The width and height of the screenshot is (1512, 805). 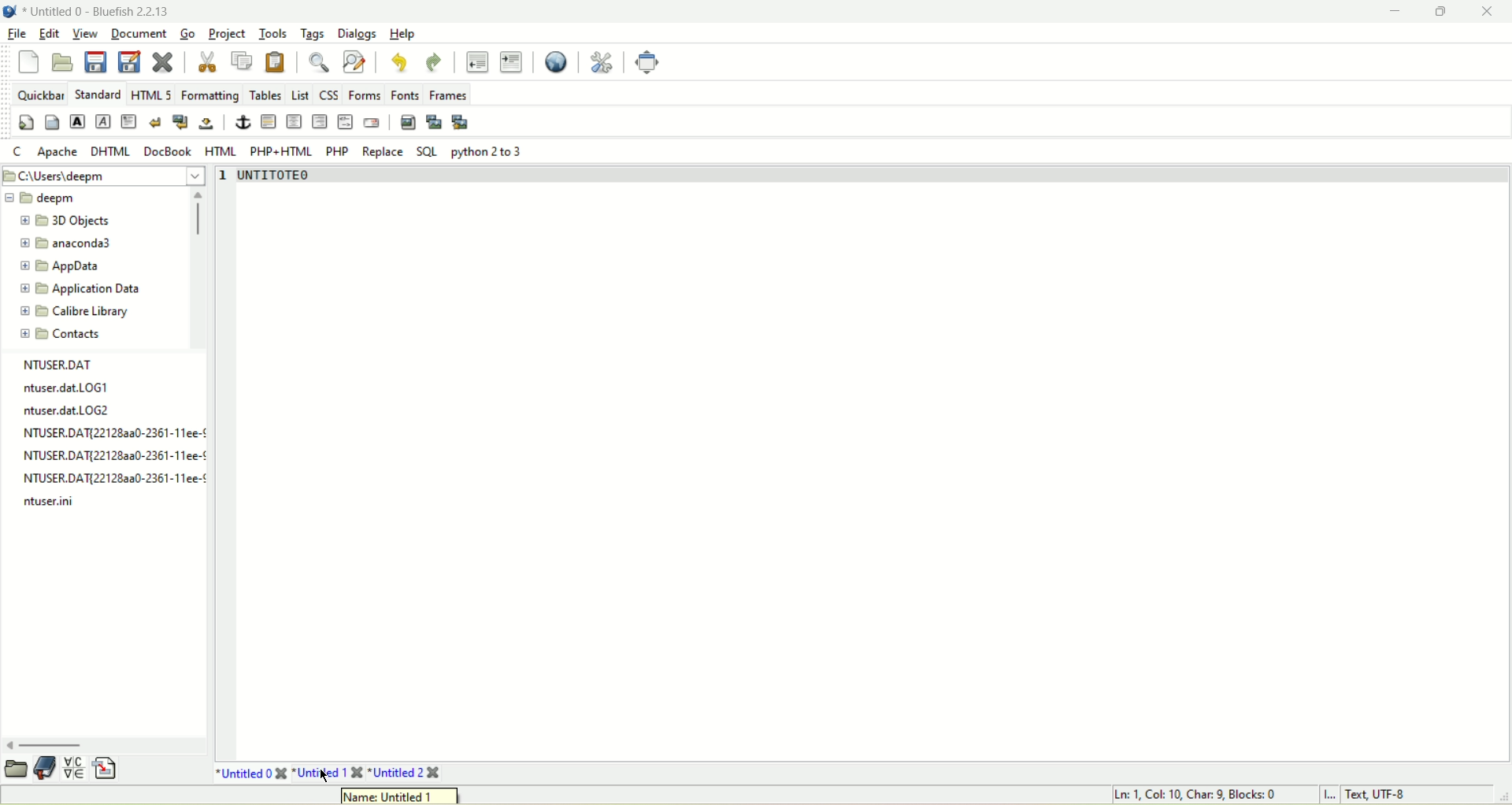 I want to click on quickbar, so click(x=39, y=92).